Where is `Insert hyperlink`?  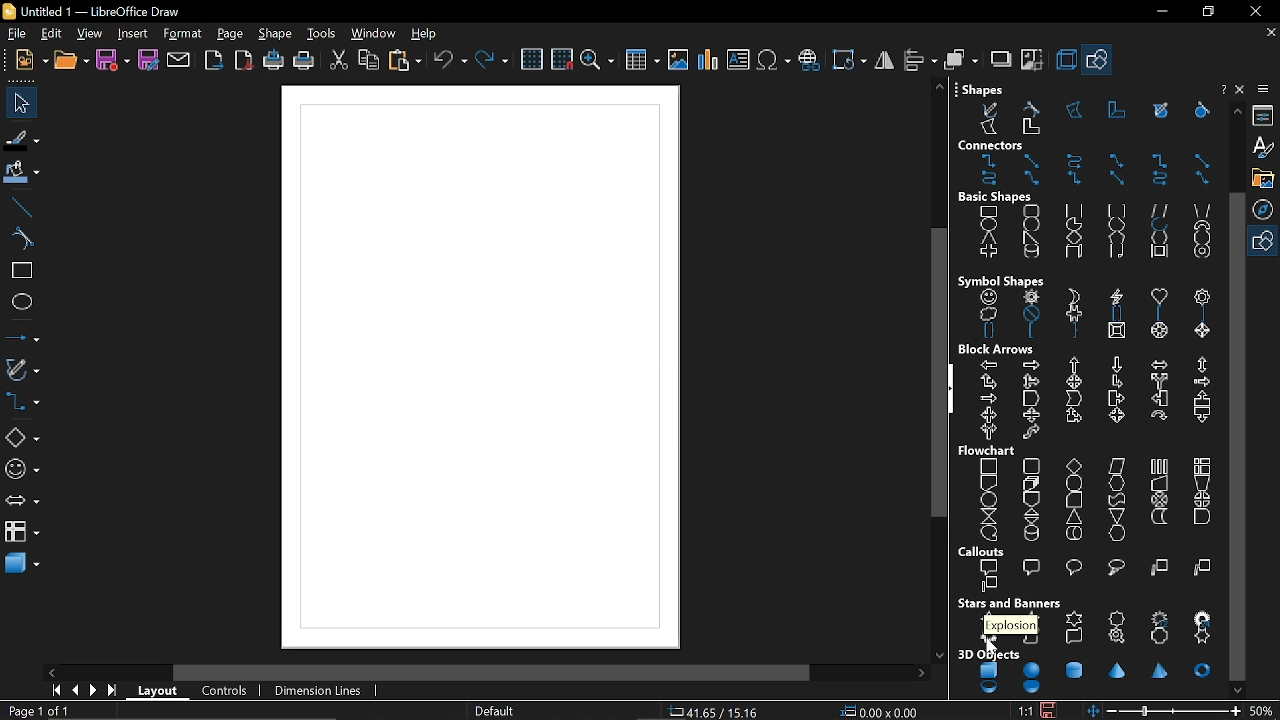 Insert hyperlink is located at coordinates (810, 61).